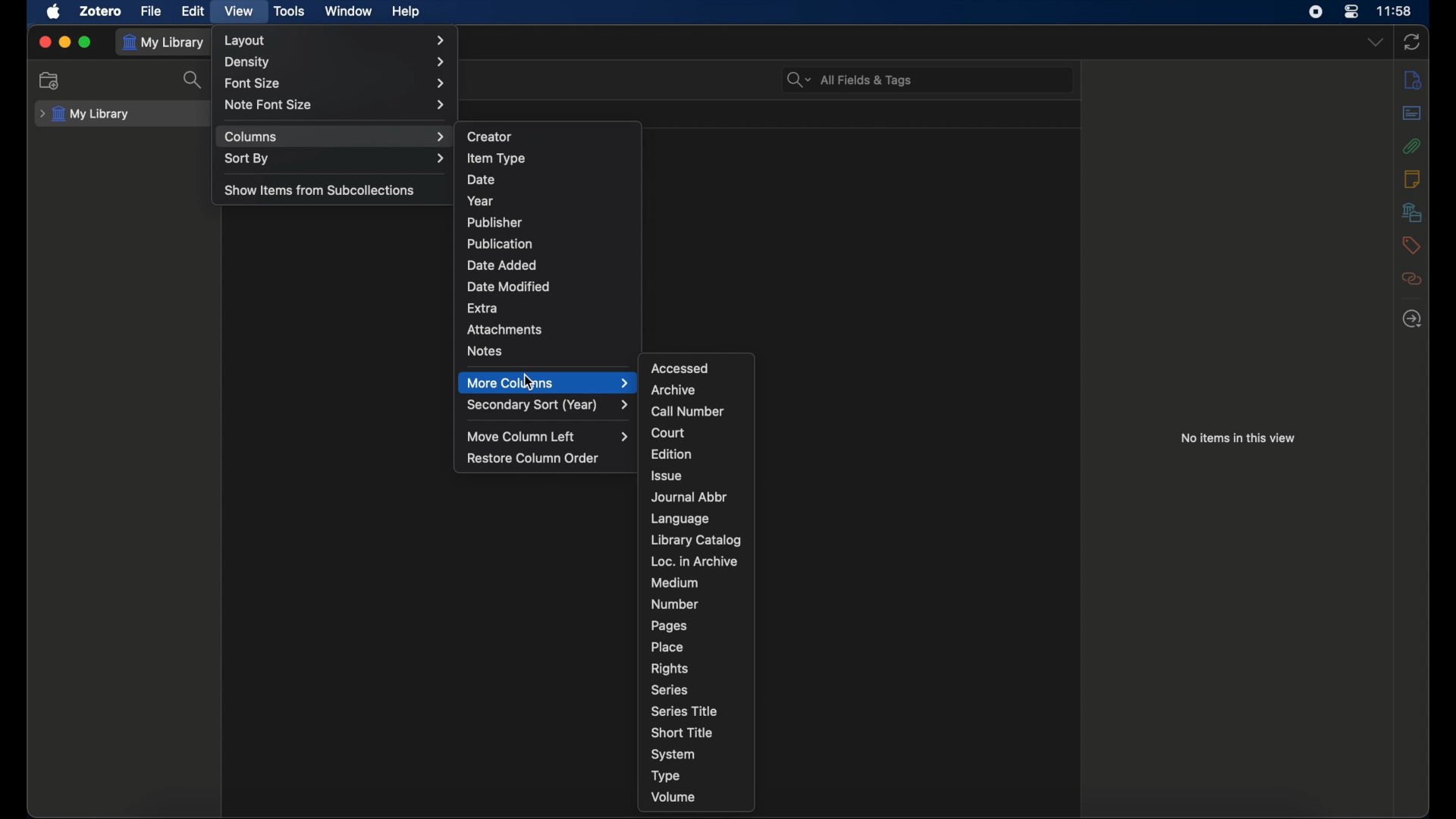 The width and height of the screenshot is (1456, 819). I want to click on libraries, so click(1410, 212).